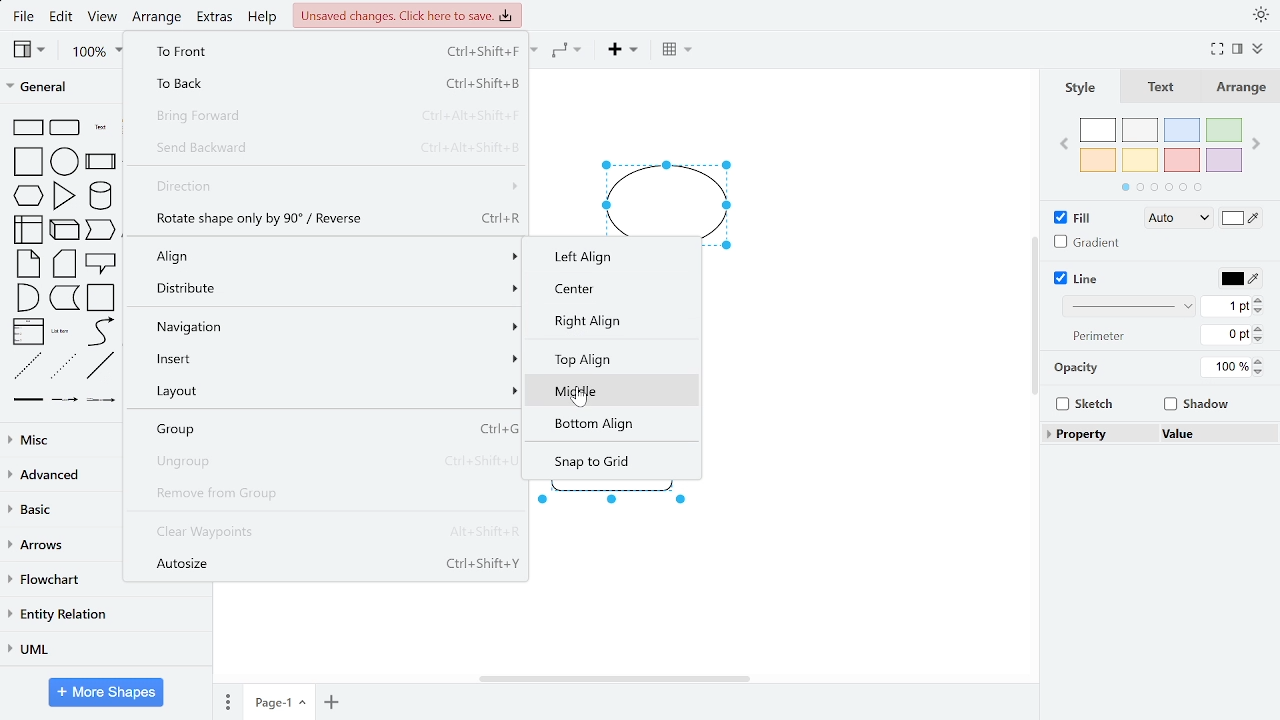  I want to click on callout, so click(101, 263).